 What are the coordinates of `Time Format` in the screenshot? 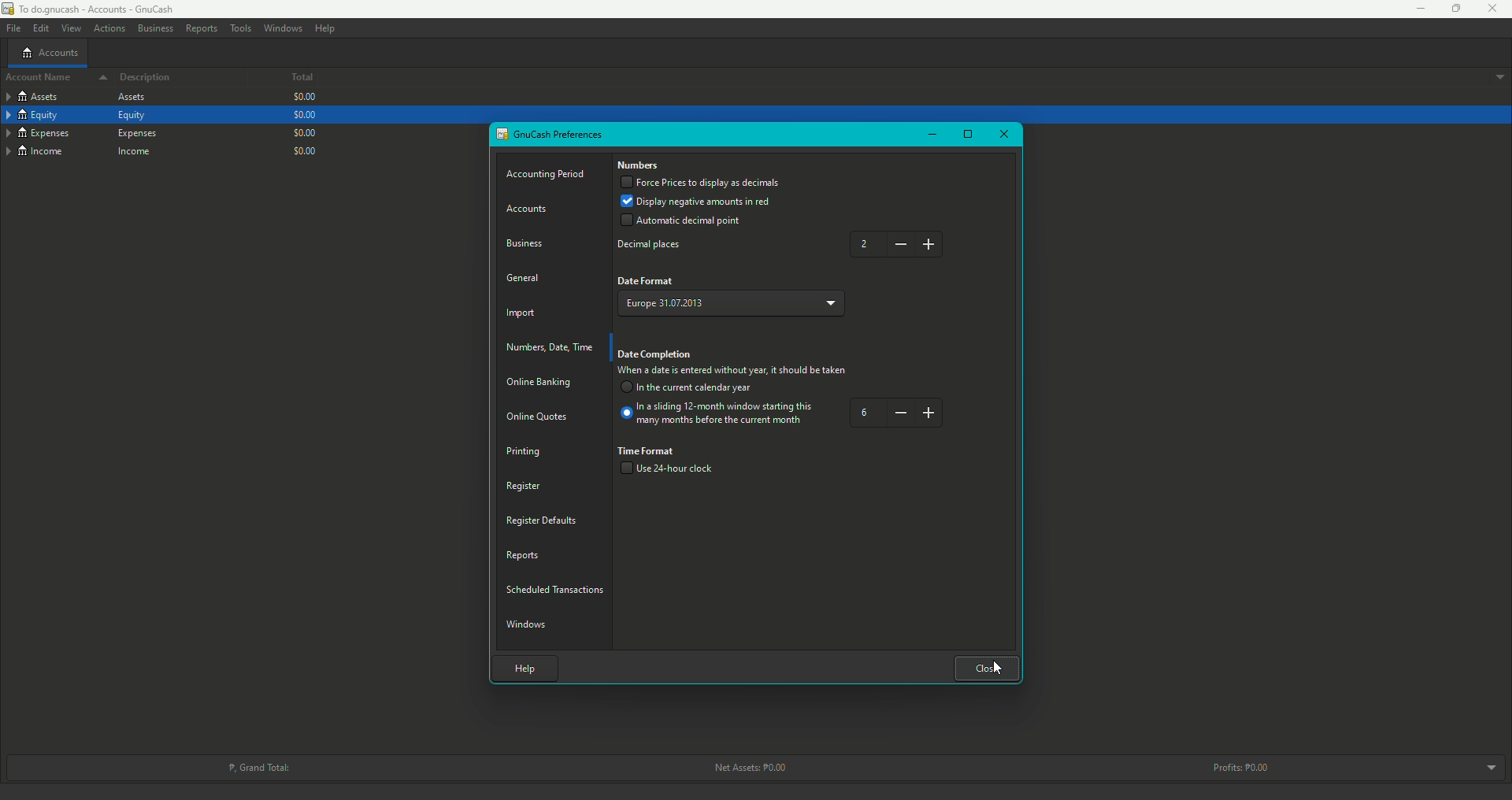 It's located at (648, 450).